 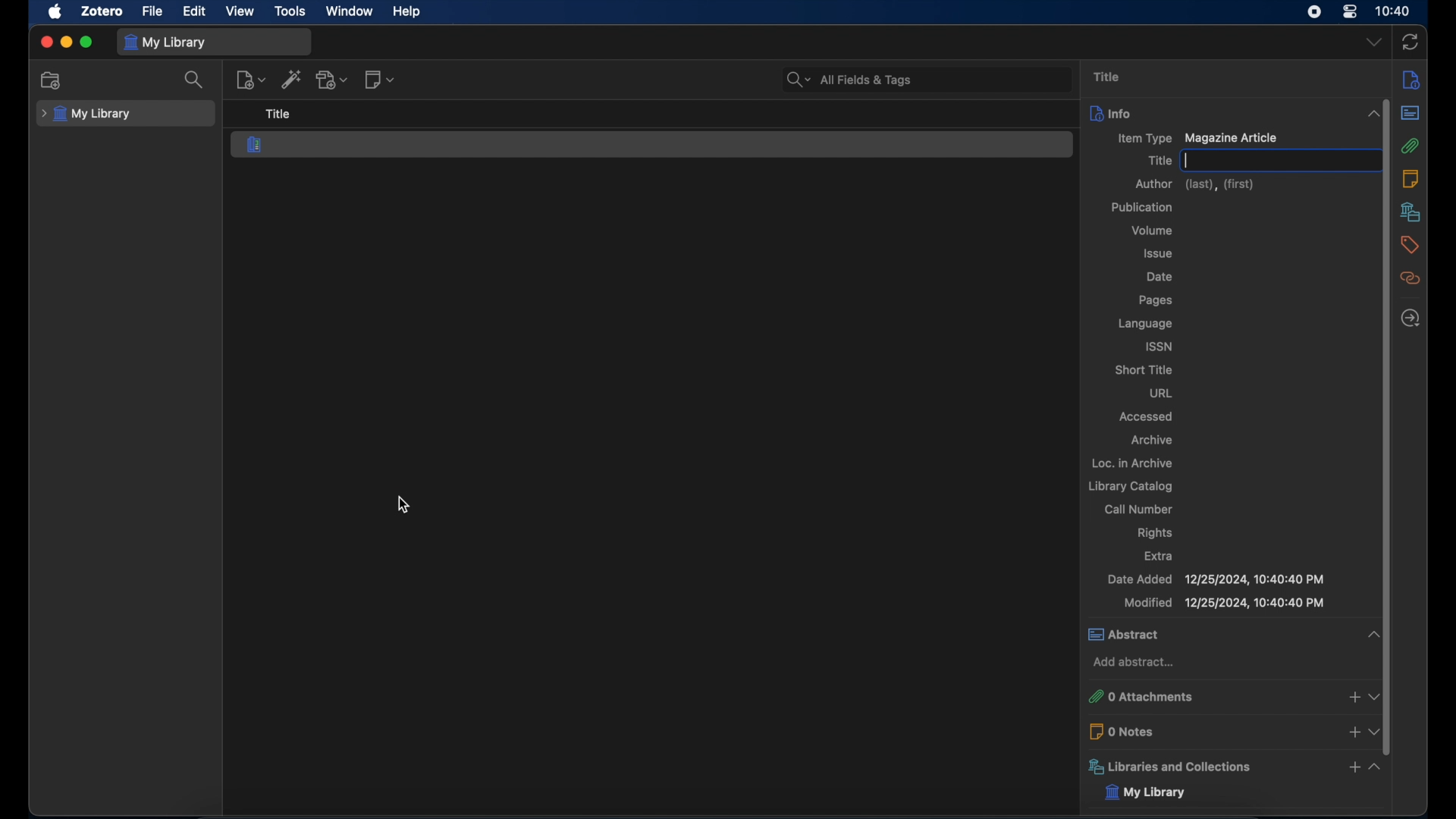 I want to click on edit, so click(x=196, y=10).